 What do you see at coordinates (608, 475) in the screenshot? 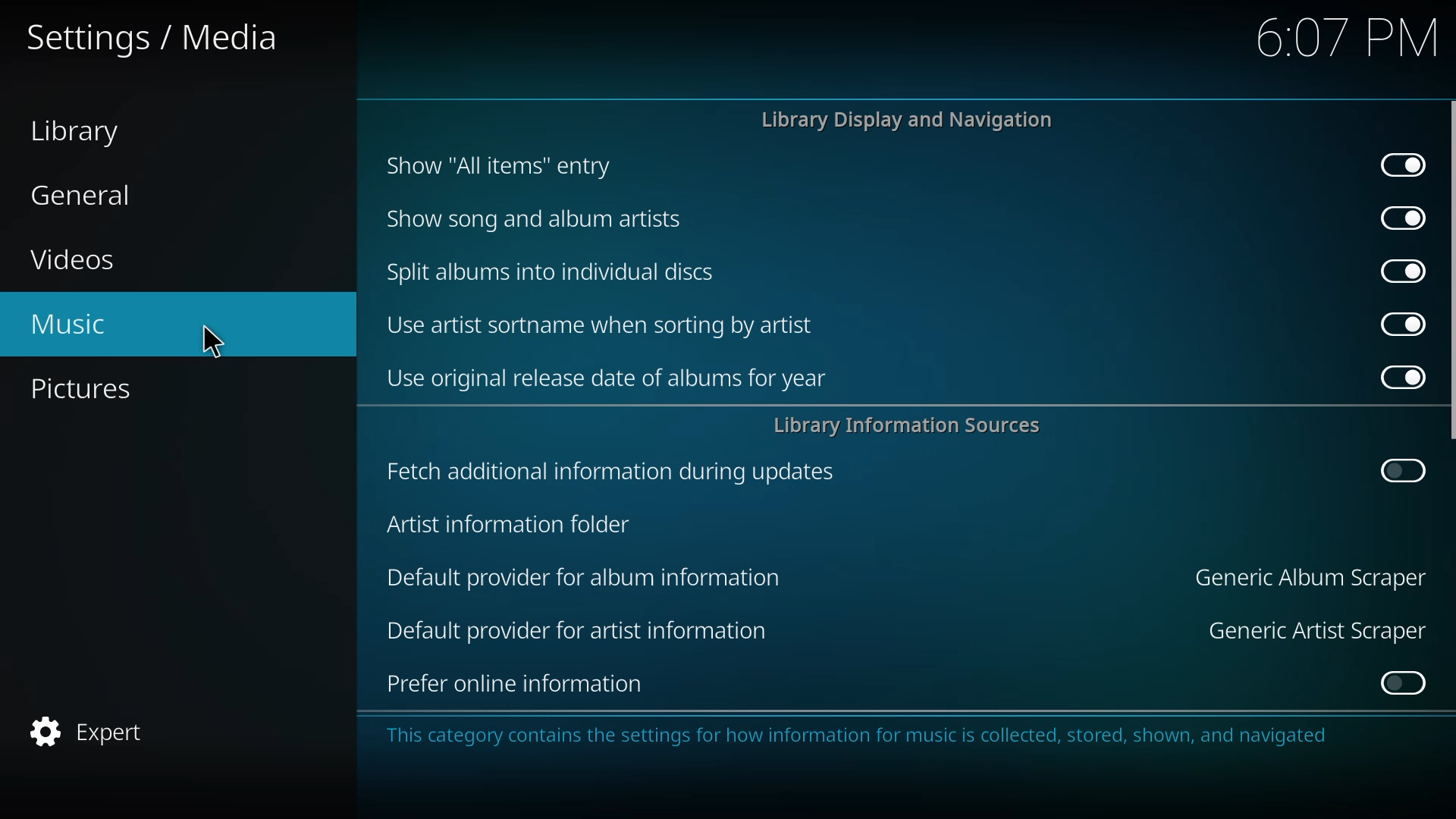
I see `Fetch additional information during updates` at bounding box center [608, 475].